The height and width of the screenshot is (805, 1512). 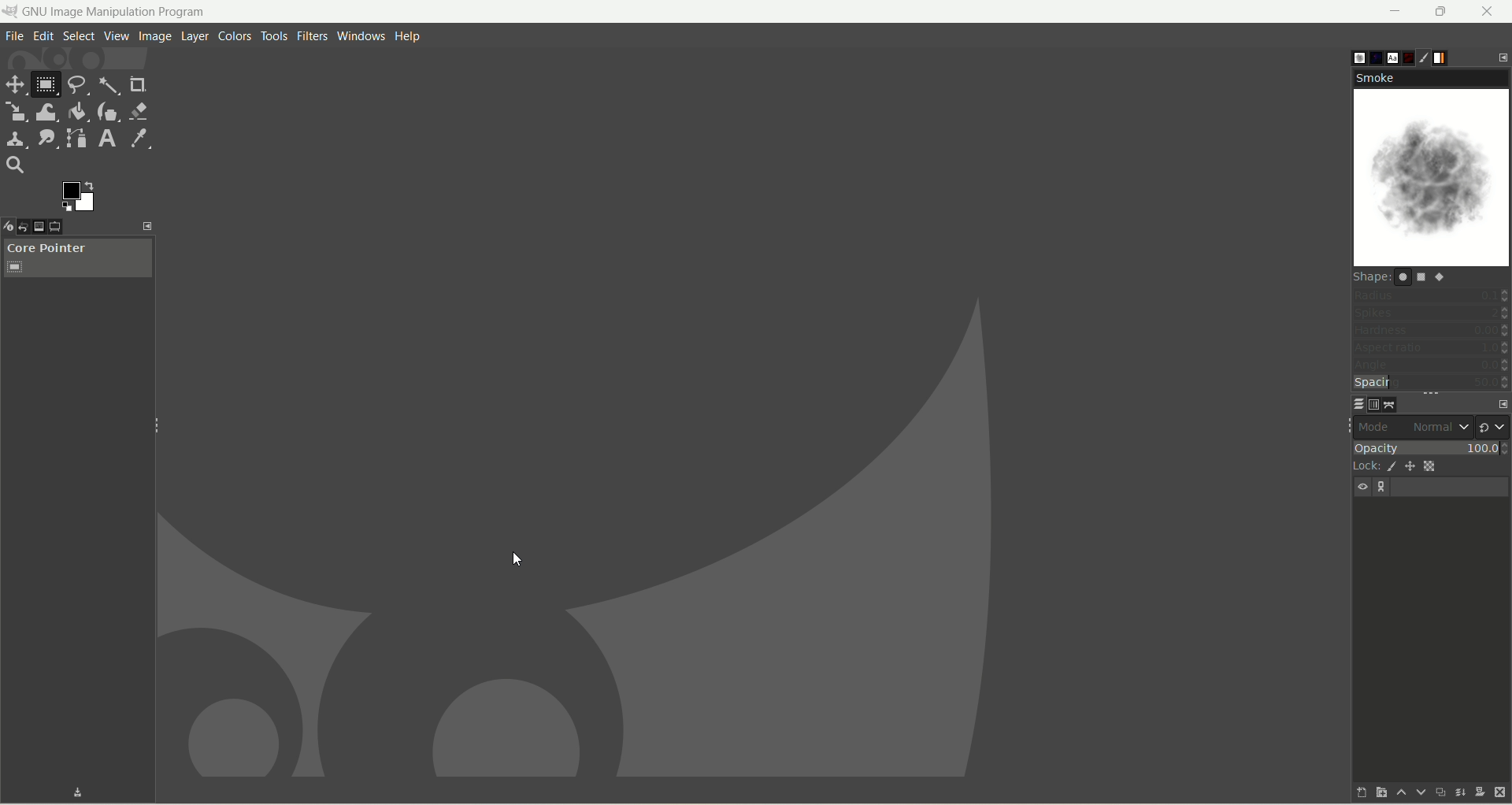 I want to click on windows, so click(x=360, y=36).